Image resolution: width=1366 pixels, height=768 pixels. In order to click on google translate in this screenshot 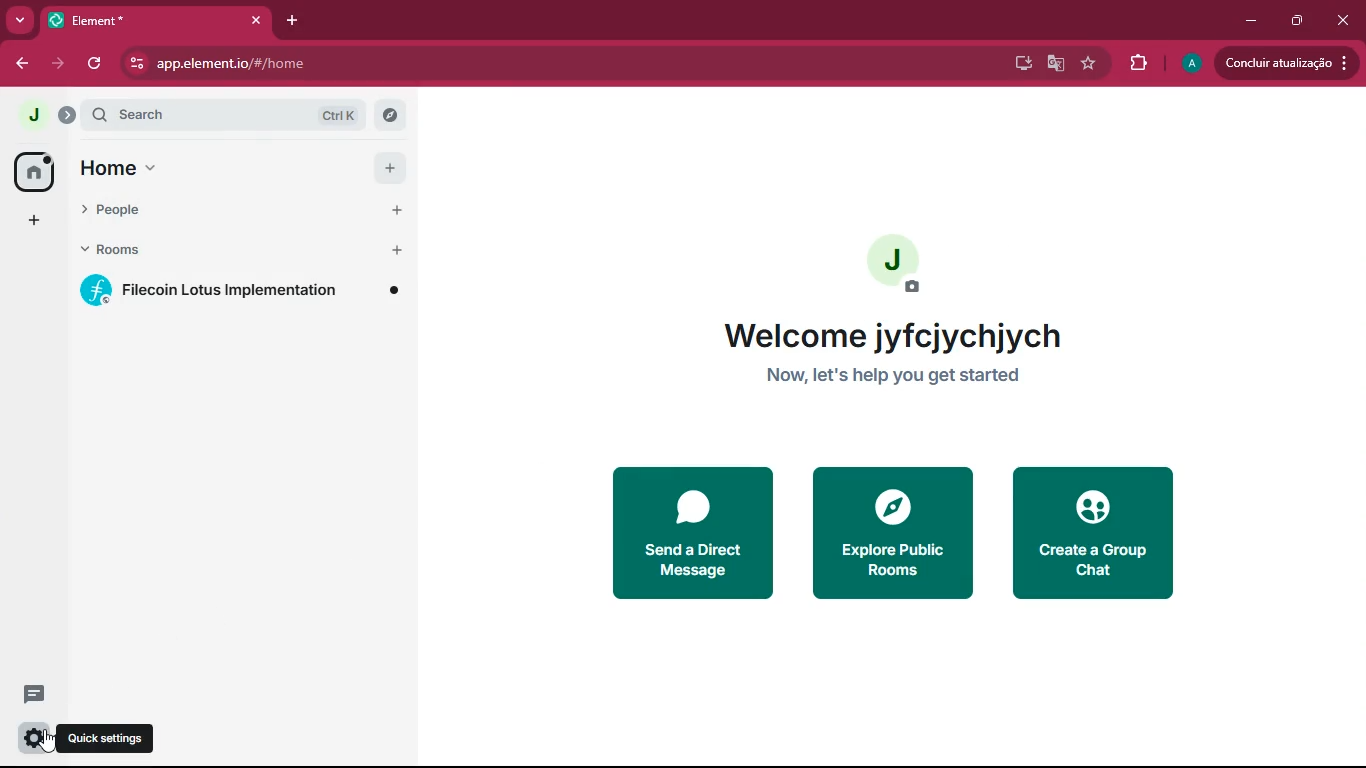, I will do `click(1055, 64)`.